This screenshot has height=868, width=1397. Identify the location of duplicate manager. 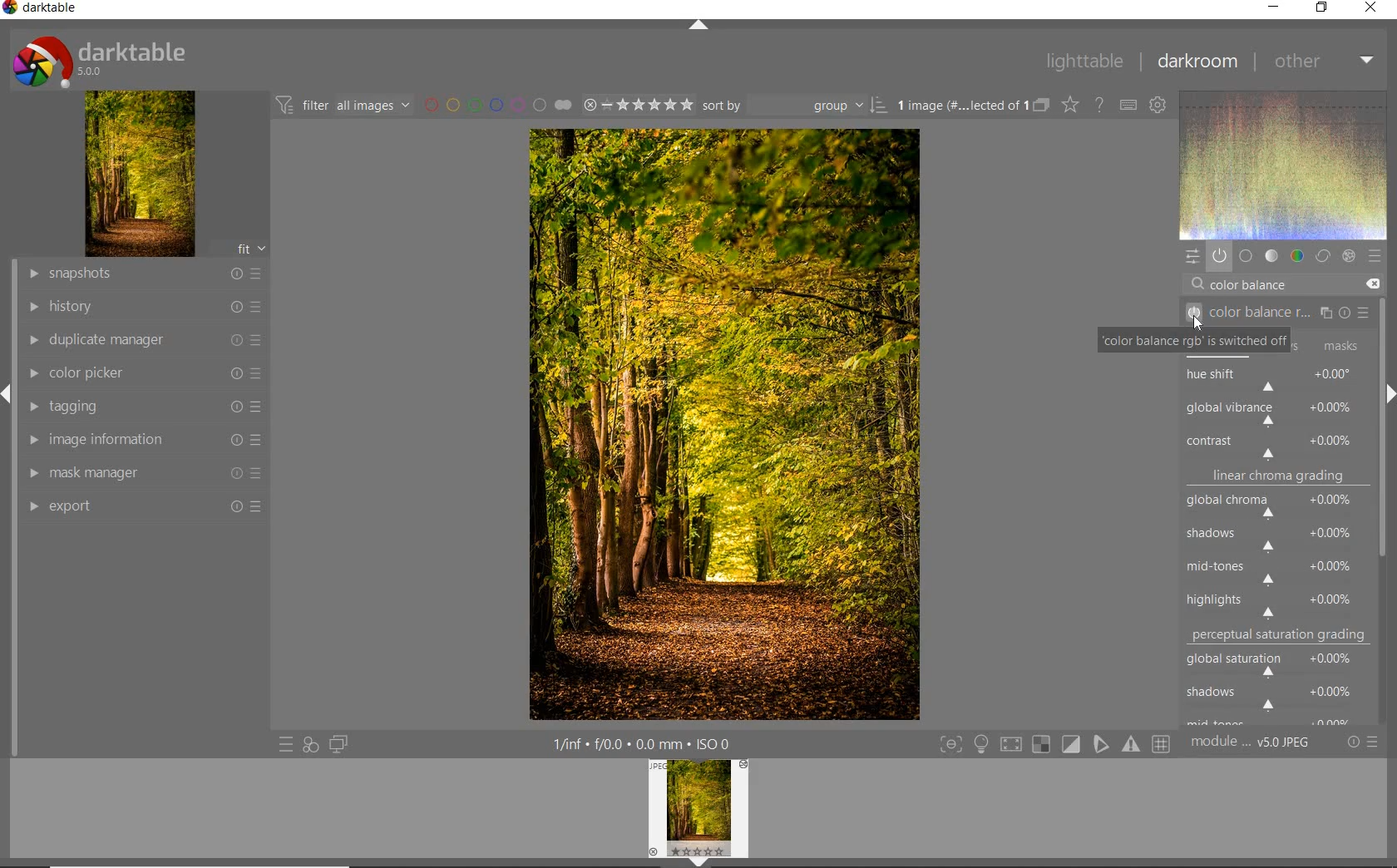
(146, 340).